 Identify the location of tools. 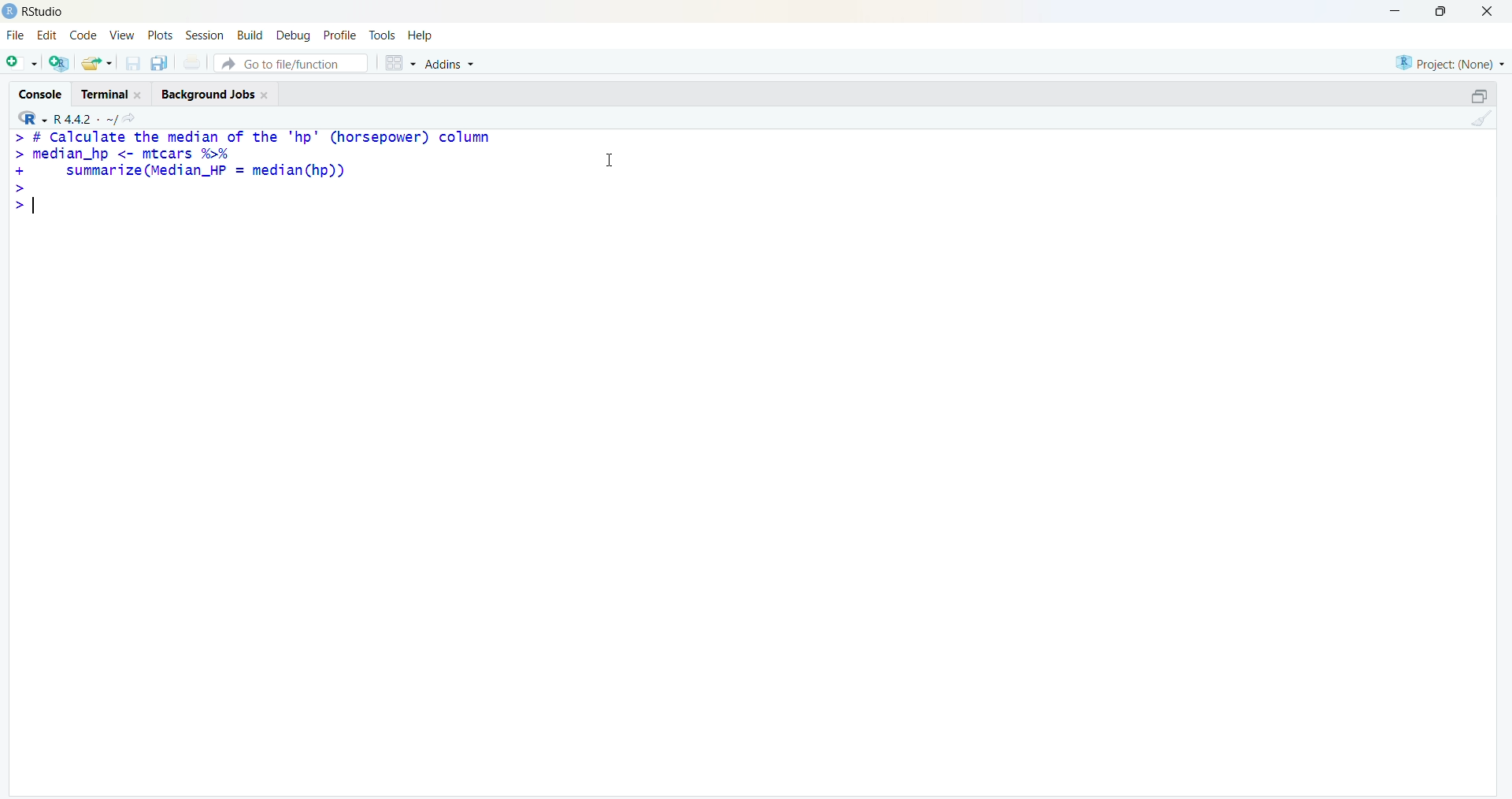
(384, 36).